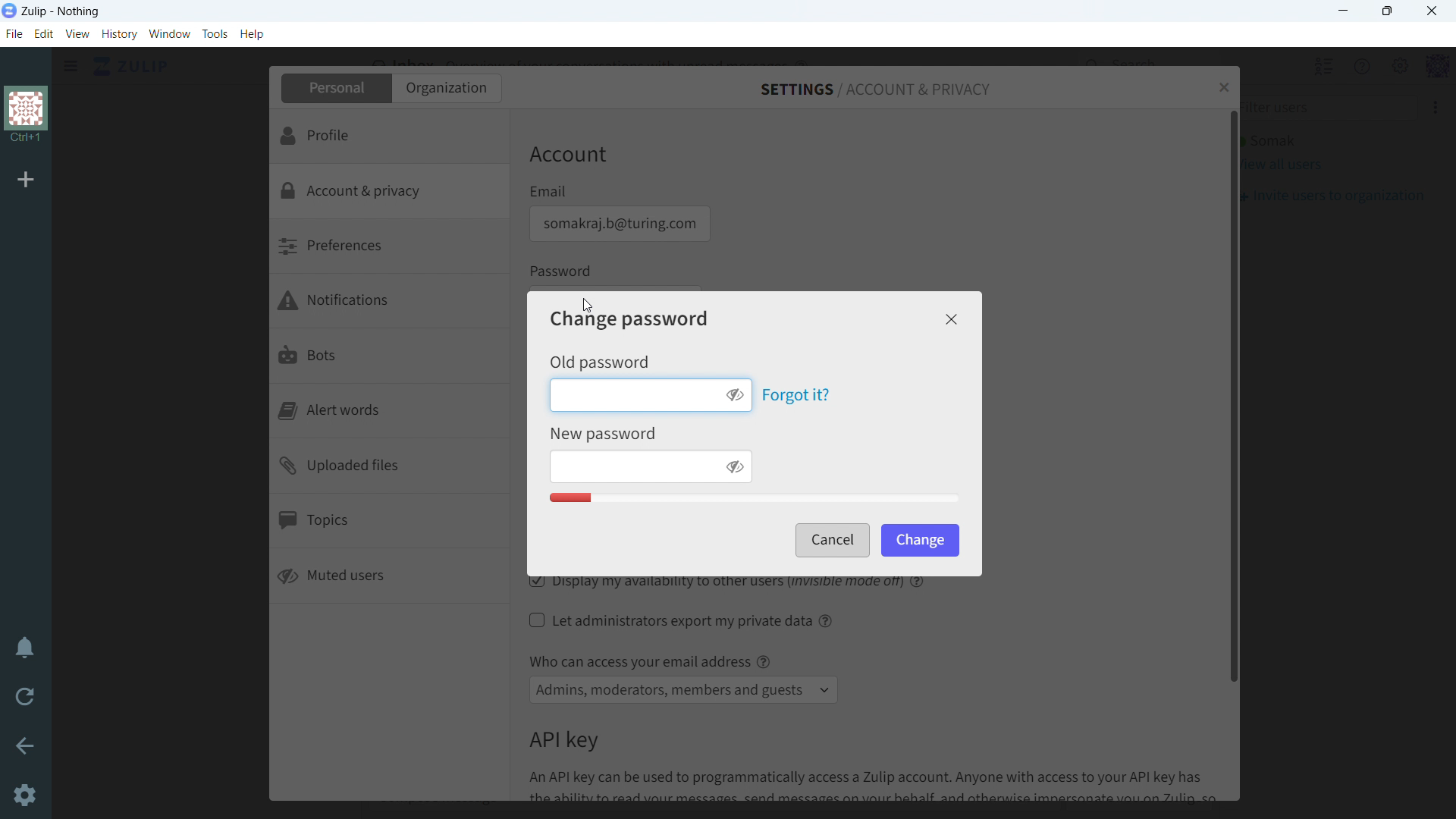 This screenshot has width=1456, height=819. What do you see at coordinates (1432, 11) in the screenshot?
I see `close` at bounding box center [1432, 11].